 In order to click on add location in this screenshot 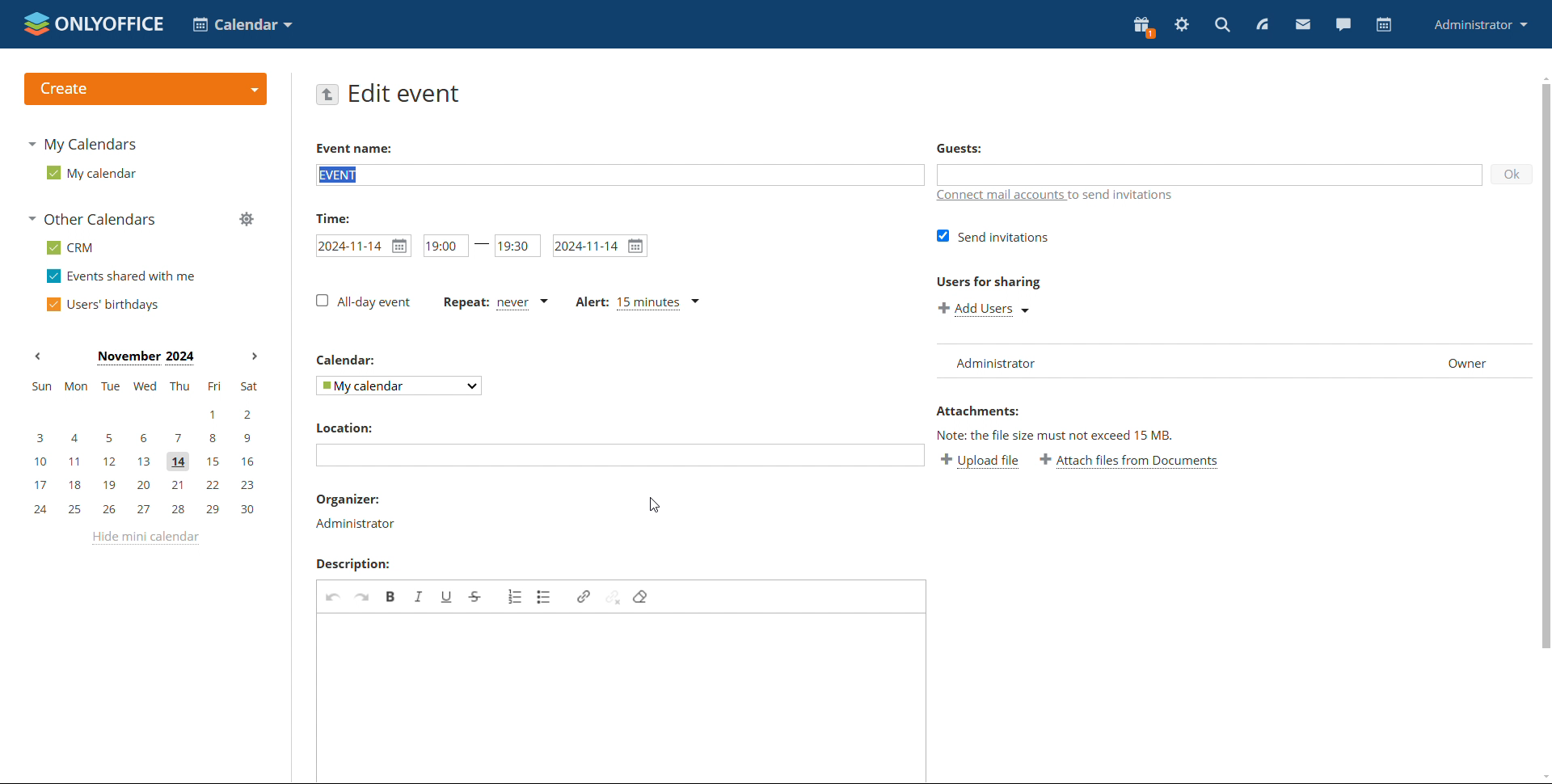, I will do `click(622, 455)`.